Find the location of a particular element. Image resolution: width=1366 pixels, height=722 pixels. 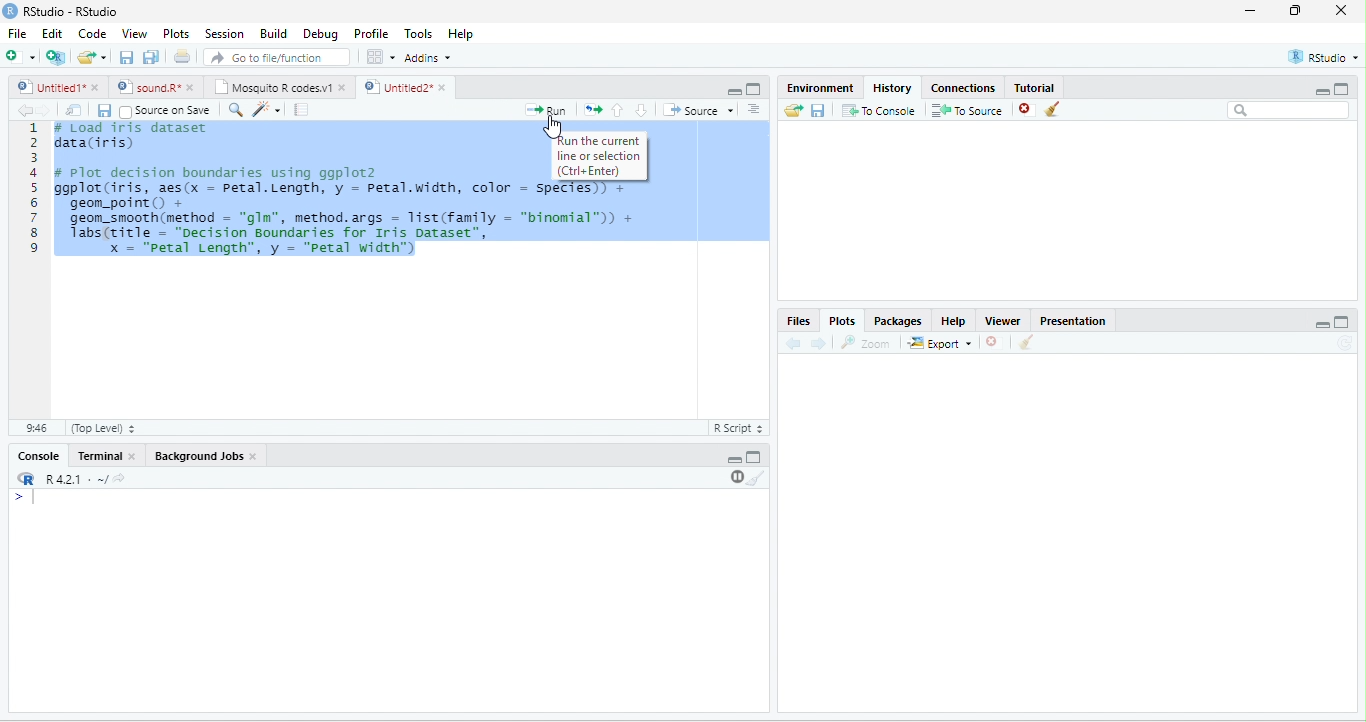

# Load iris dataset data(iris) is located at coordinates (129, 139).